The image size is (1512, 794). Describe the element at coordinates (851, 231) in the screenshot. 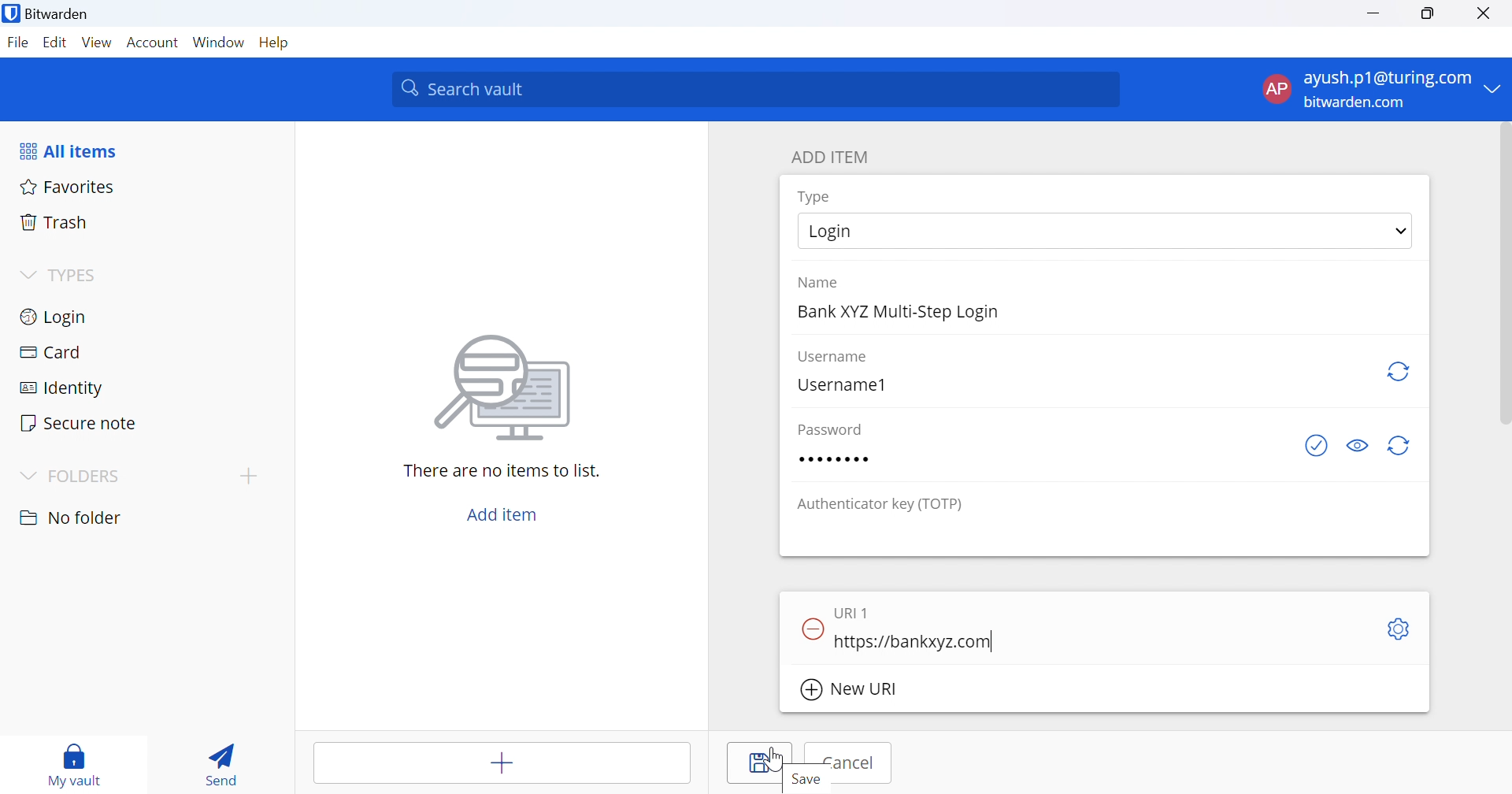

I see `Login ` at that location.